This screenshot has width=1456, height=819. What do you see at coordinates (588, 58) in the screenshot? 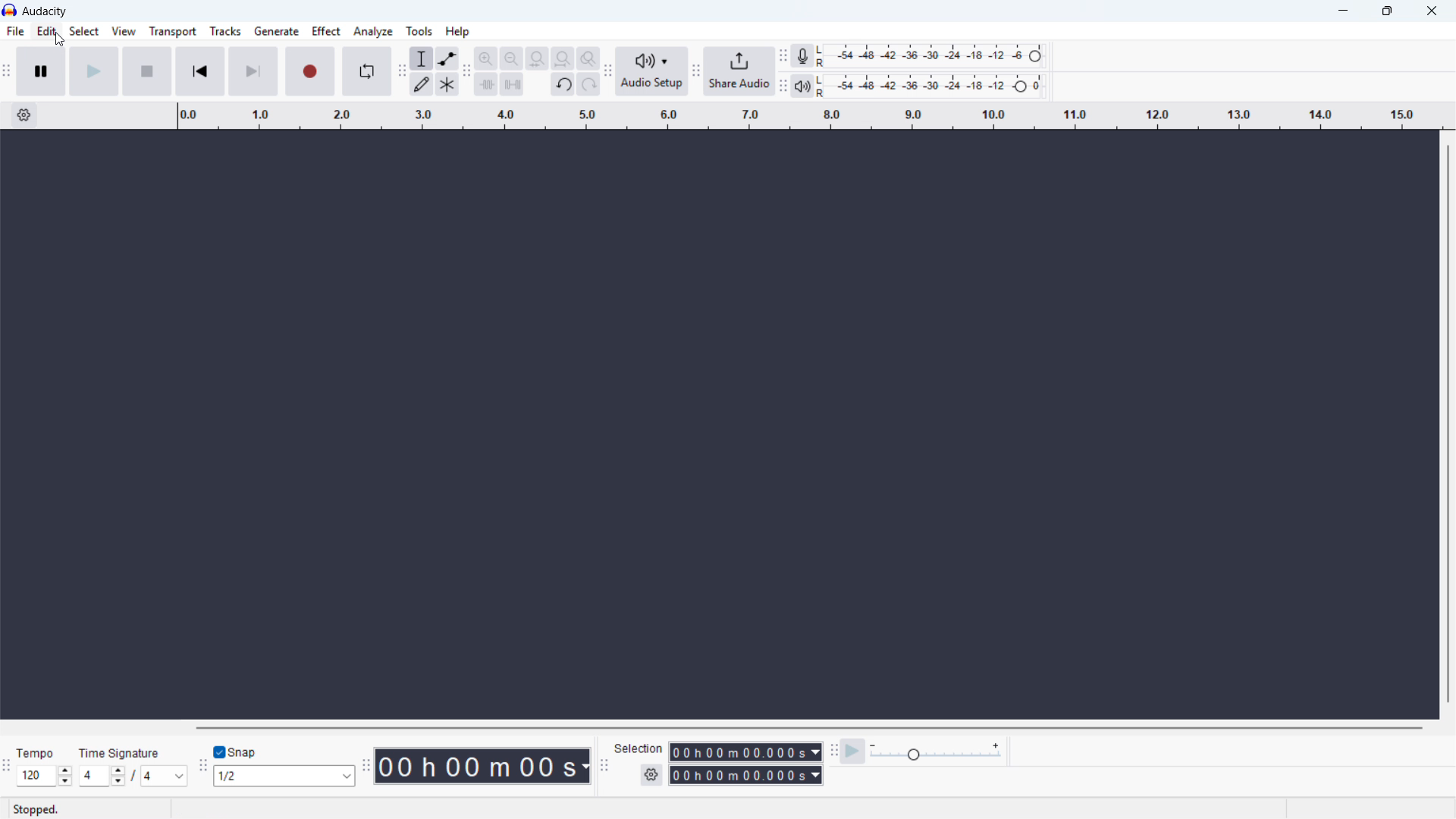
I see `toggle zoom` at bounding box center [588, 58].